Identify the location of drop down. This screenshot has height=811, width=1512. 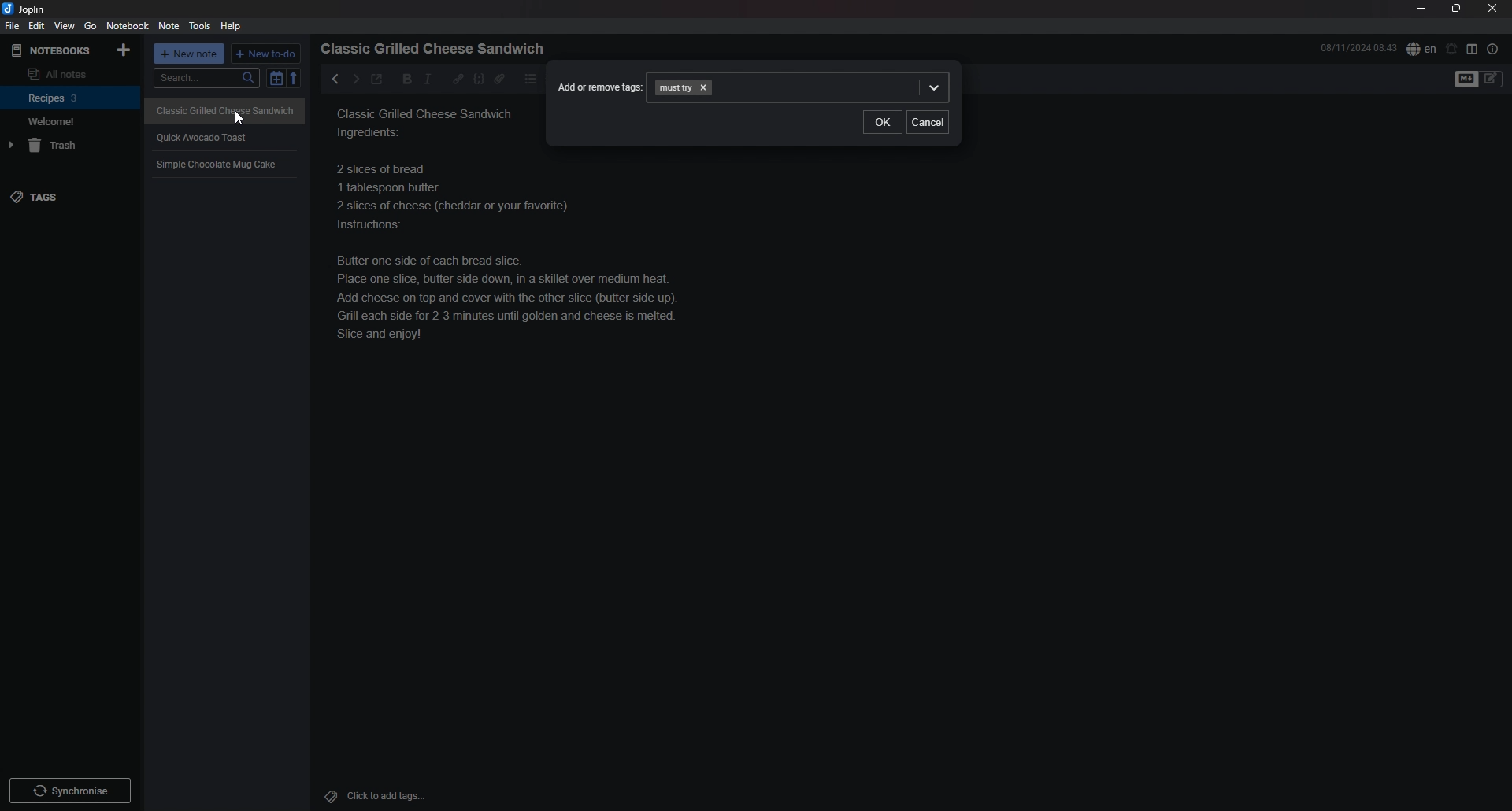
(936, 86).